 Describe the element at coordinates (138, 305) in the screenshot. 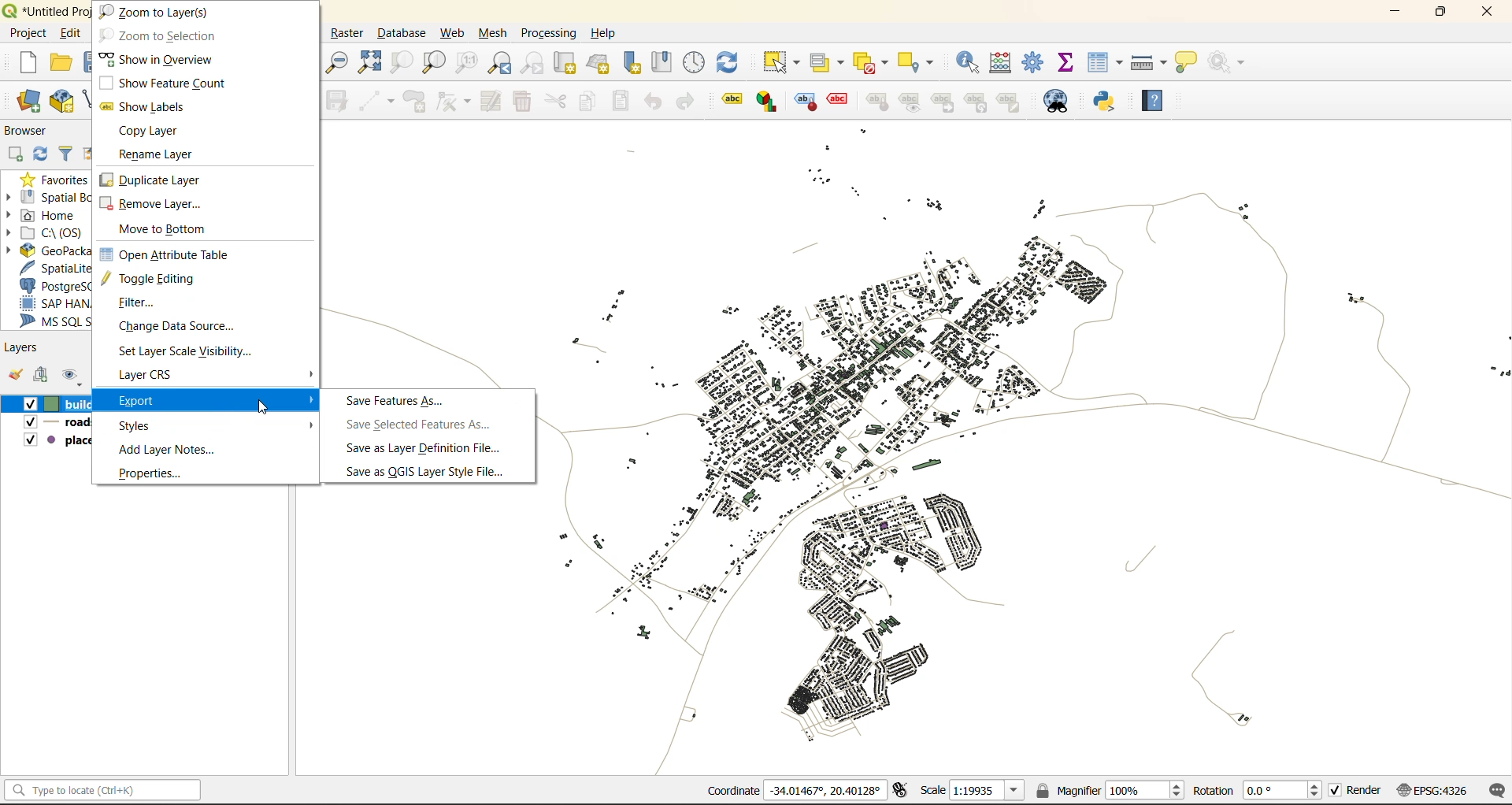

I see `filter` at that location.